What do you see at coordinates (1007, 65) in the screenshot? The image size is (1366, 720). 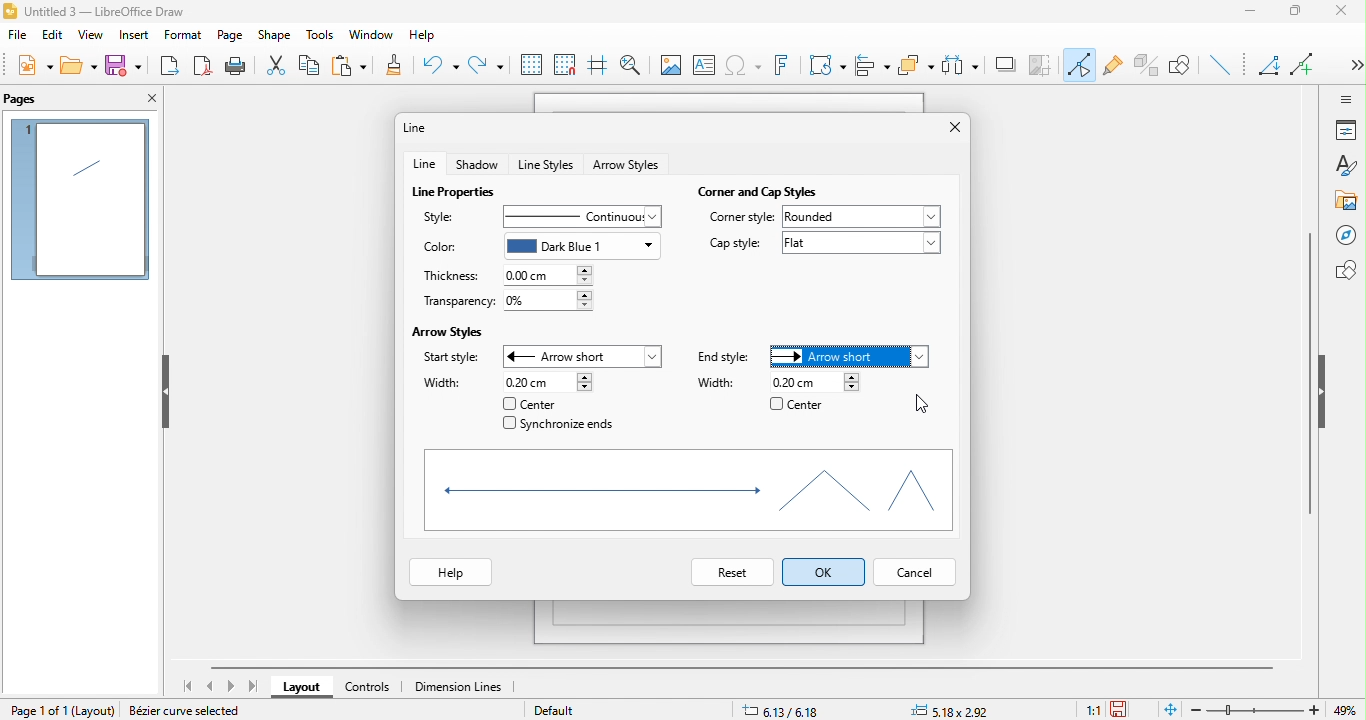 I see `shadow` at bounding box center [1007, 65].